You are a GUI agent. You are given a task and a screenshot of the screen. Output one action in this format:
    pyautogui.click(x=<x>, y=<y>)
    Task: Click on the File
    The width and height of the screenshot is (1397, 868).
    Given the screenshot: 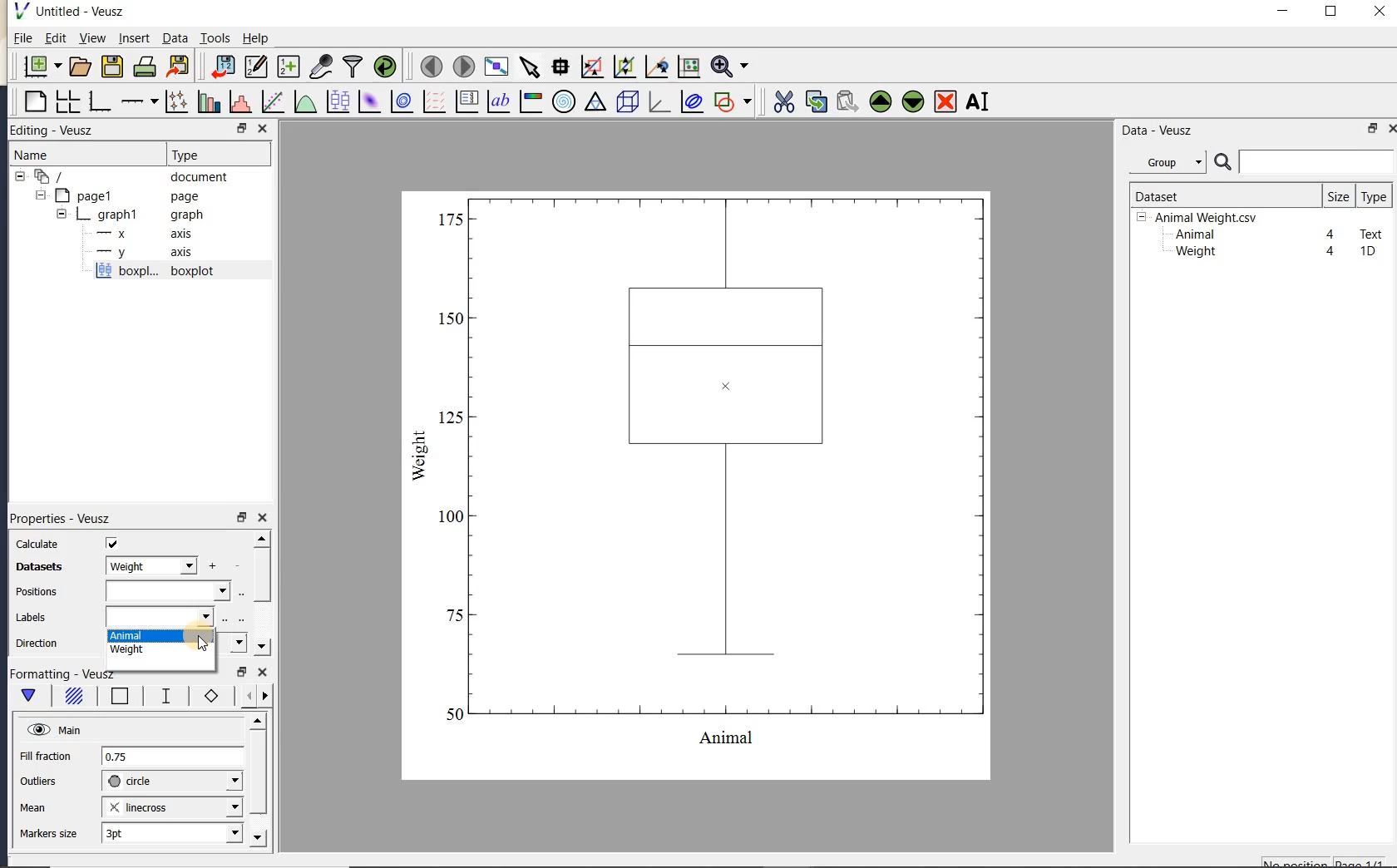 What is the action you would take?
    pyautogui.click(x=23, y=38)
    